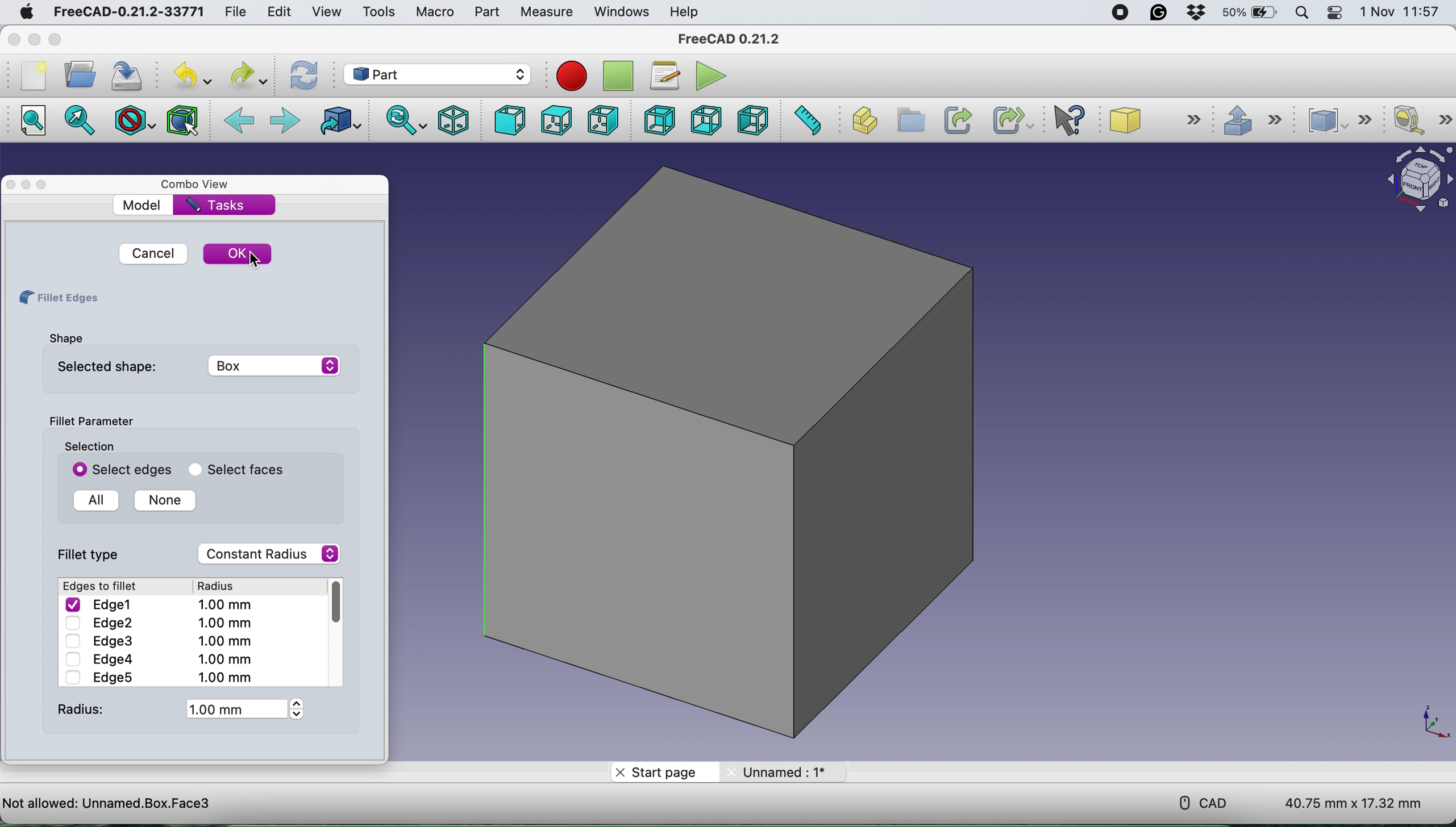 Image resolution: width=1456 pixels, height=827 pixels. Describe the element at coordinates (26, 14) in the screenshot. I see `system logo` at that location.